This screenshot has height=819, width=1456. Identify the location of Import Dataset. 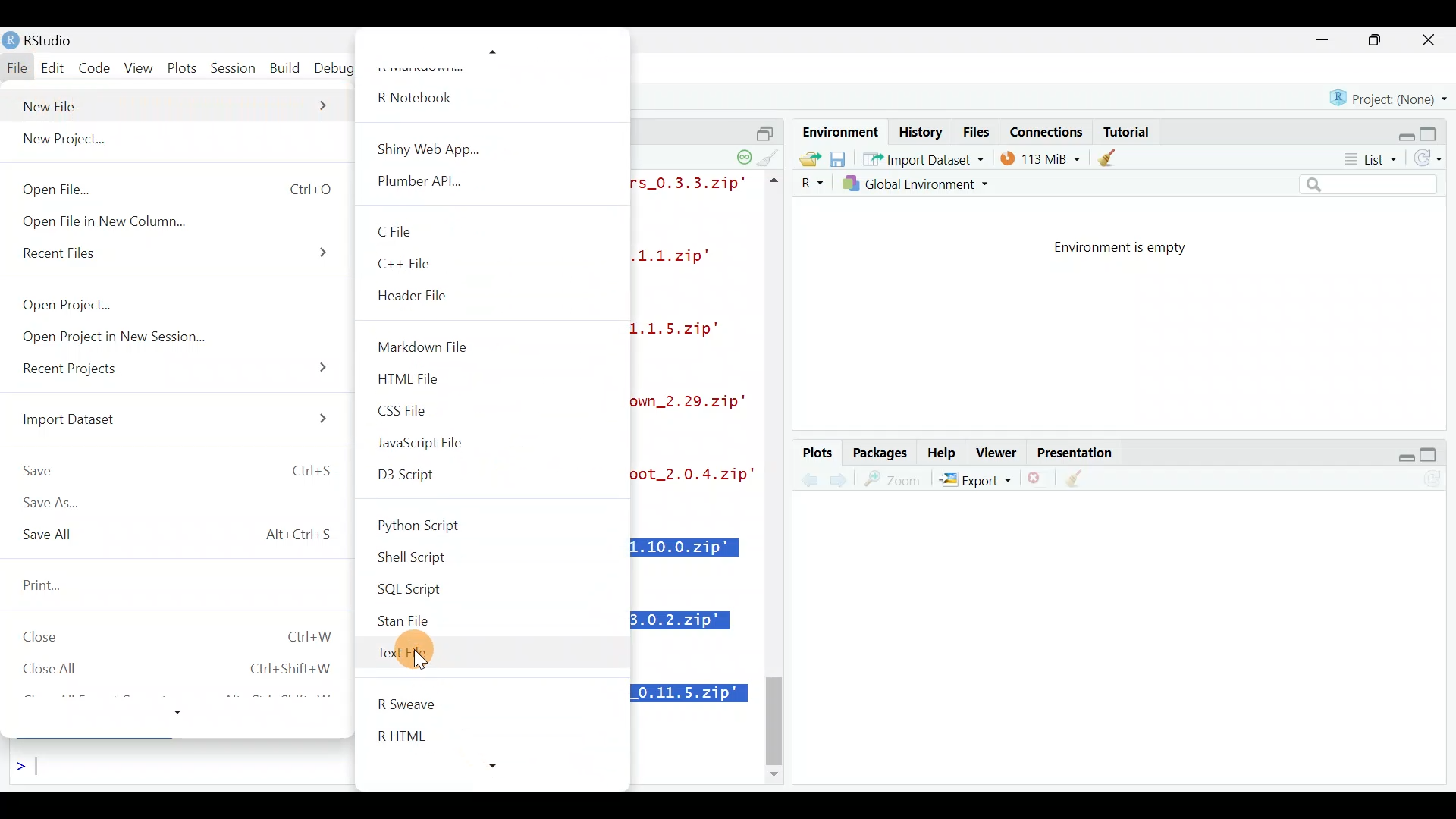
(176, 422).